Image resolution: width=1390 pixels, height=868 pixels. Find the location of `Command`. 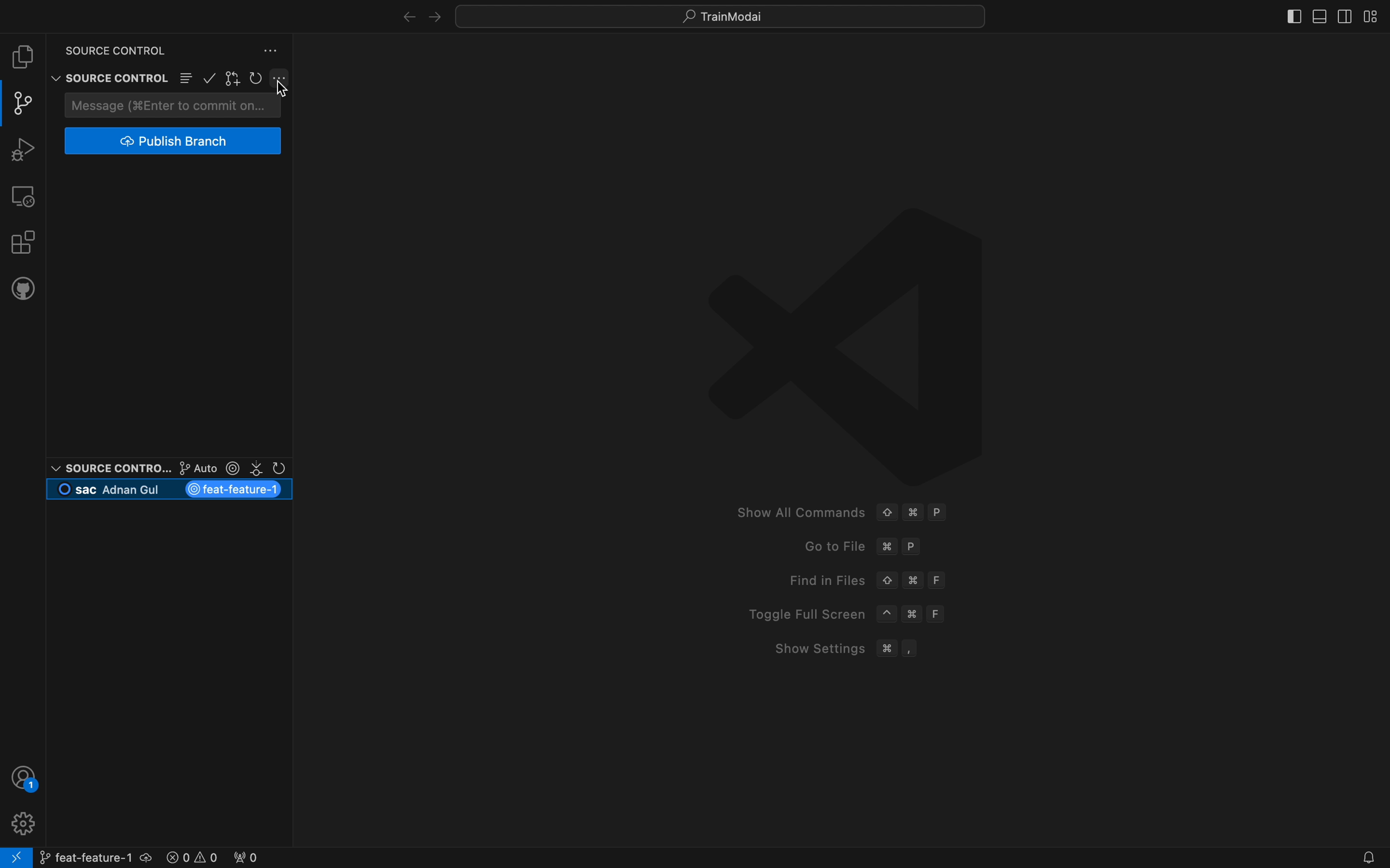

Command is located at coordinates (913, 580).